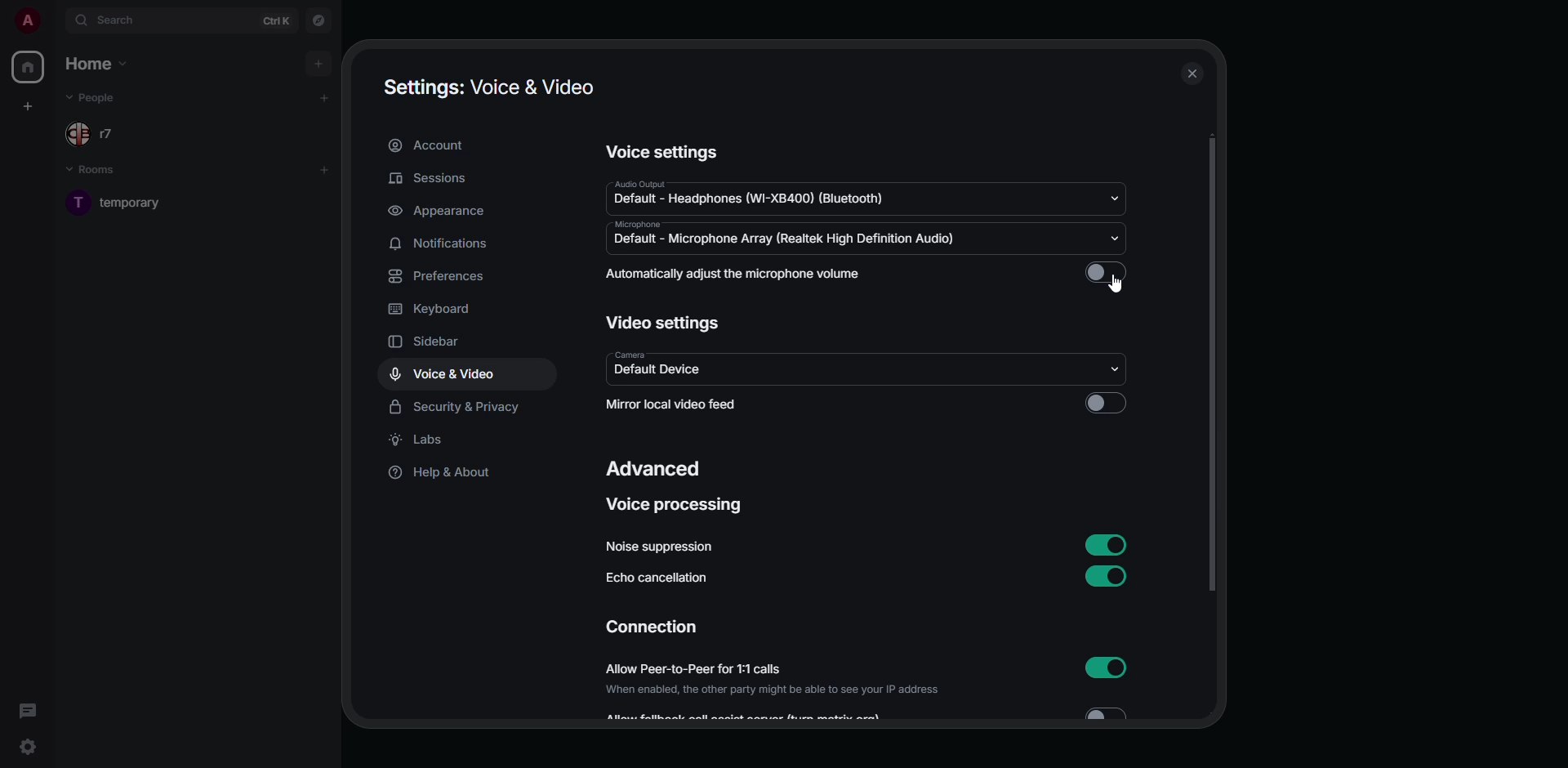 This screenshot has width=1568, height=768. I want to click on profile, so click(28, 21).